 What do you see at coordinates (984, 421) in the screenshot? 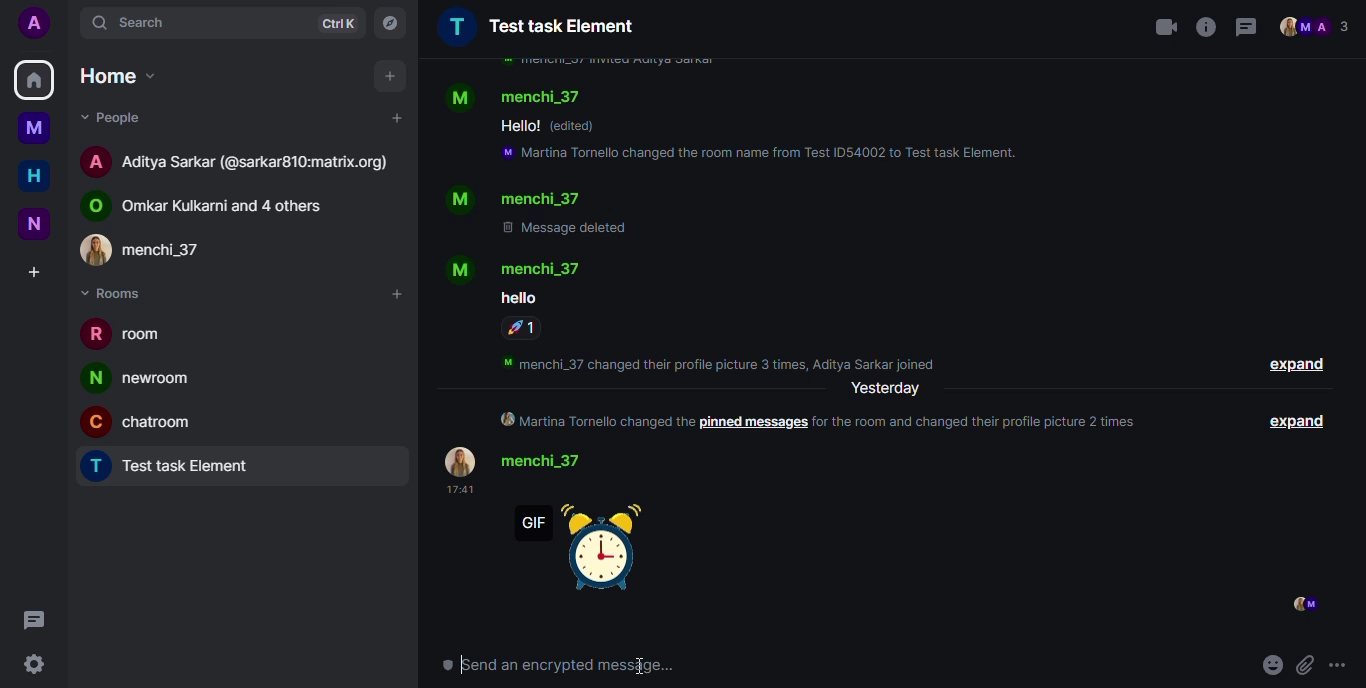
I see `for the room and changed their profile picture 2 times.` at bounding box center [984, 421].